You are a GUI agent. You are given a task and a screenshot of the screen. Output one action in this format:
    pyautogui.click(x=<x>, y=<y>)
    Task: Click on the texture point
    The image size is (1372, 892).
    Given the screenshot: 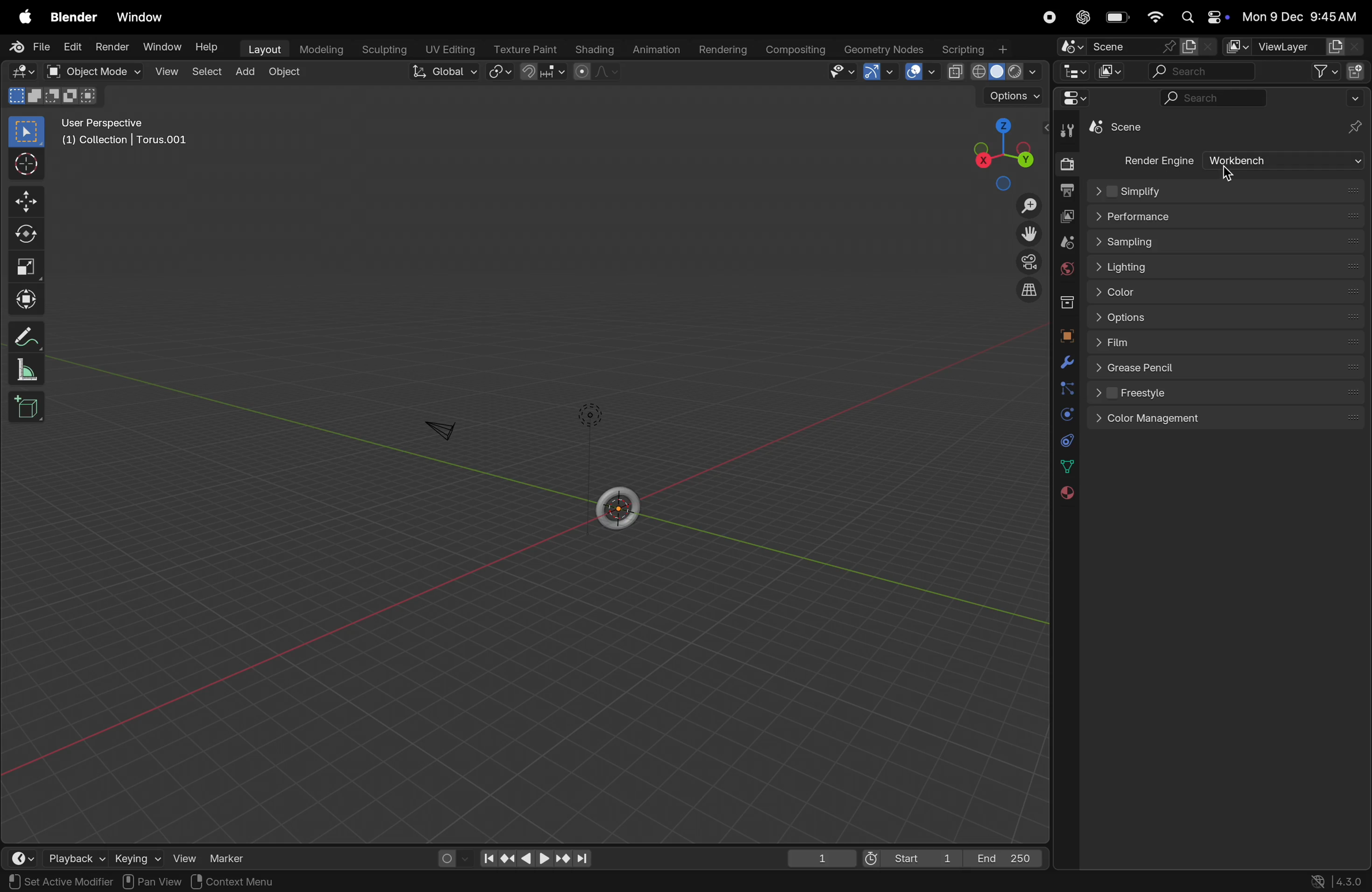 What is the action you would take?
    pyautogui.click(x=523, y=49)
    